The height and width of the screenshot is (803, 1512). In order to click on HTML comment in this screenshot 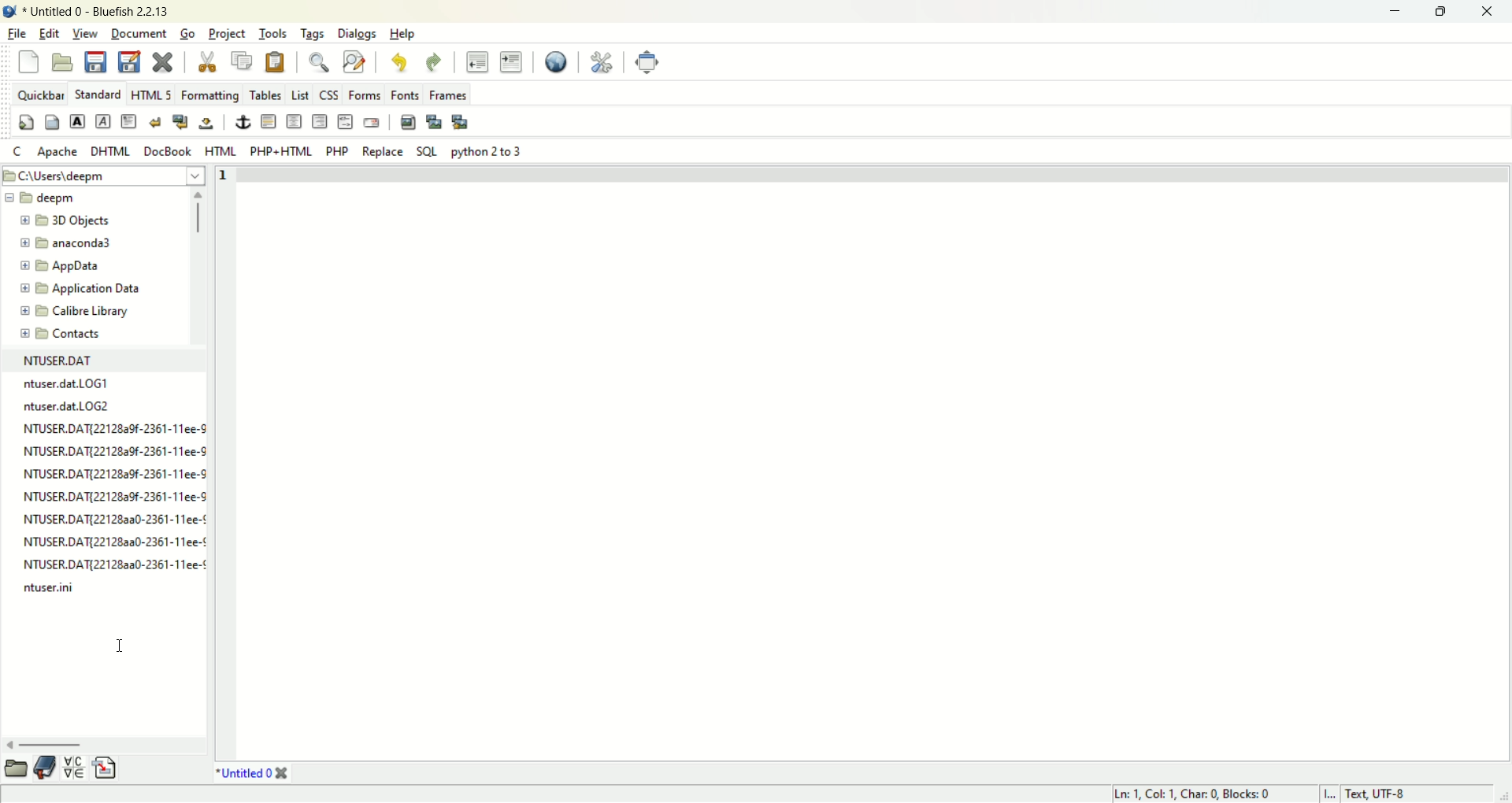, I will do `click(344, 121)`.